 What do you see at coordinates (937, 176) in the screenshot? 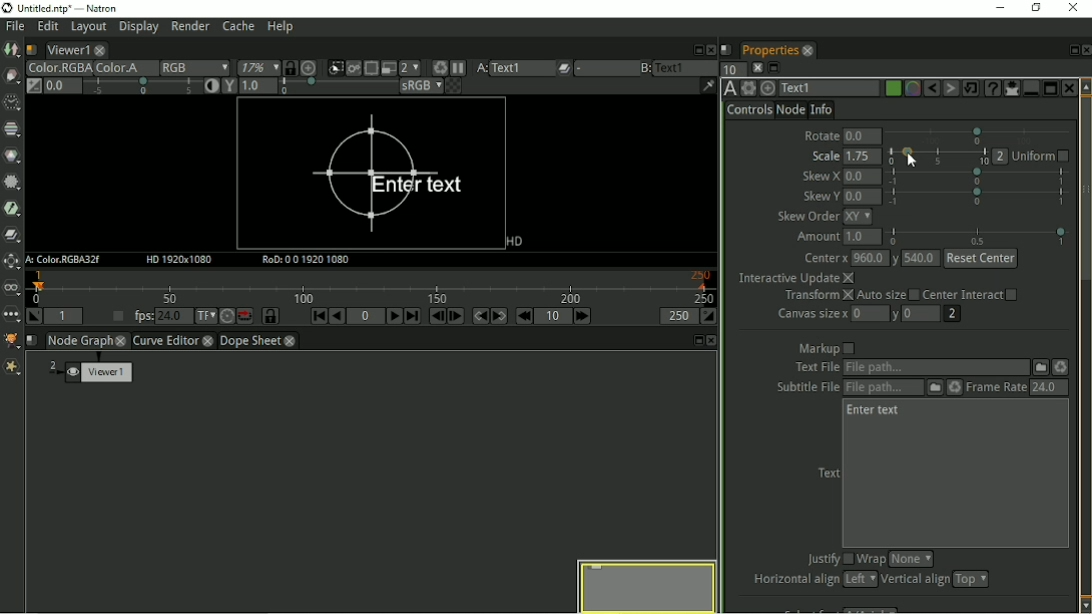
I see `Skew X` at bounding box center [937, 176].